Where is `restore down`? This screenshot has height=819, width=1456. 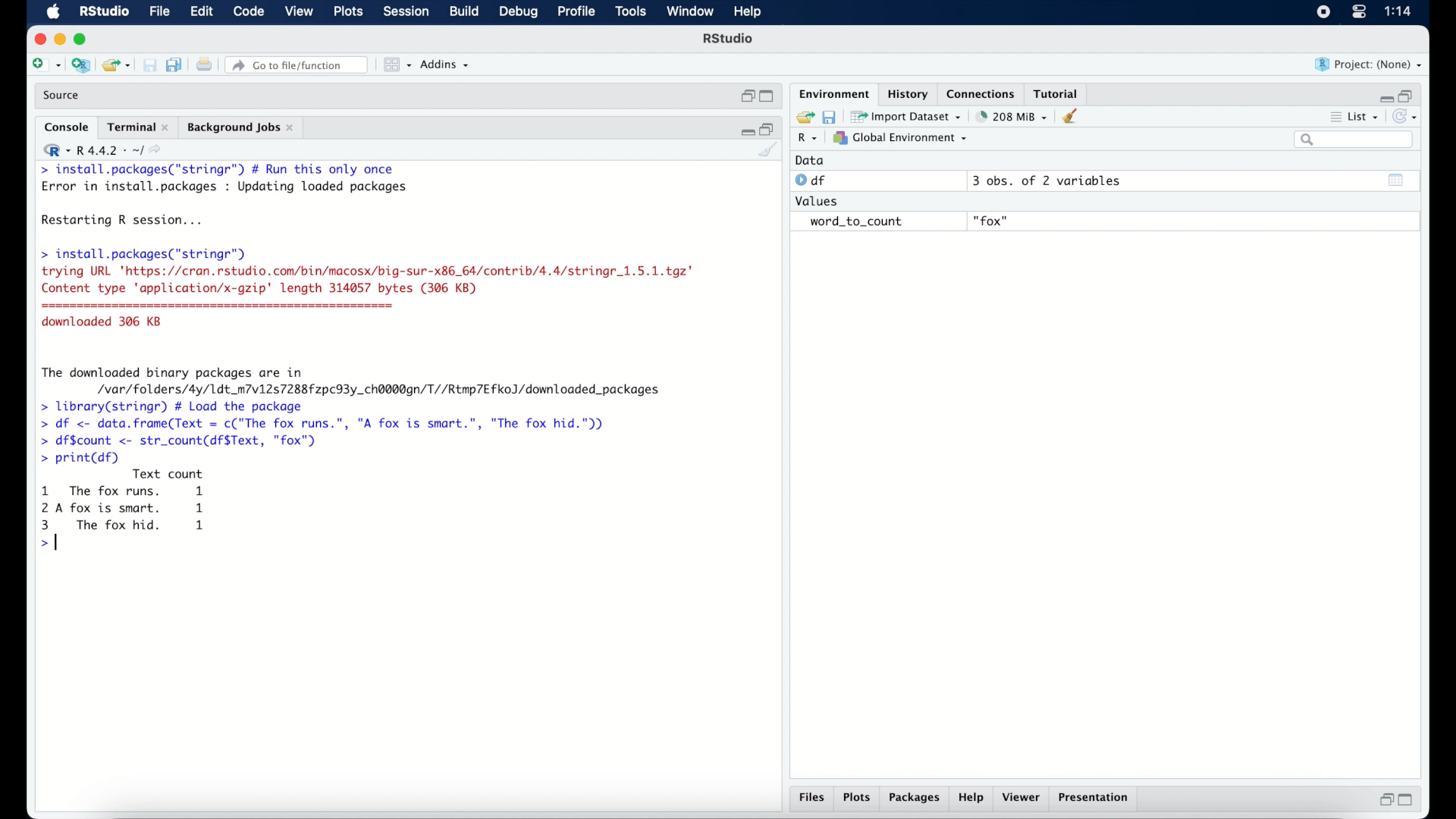 restore down is located at coordinates (1407, 95).